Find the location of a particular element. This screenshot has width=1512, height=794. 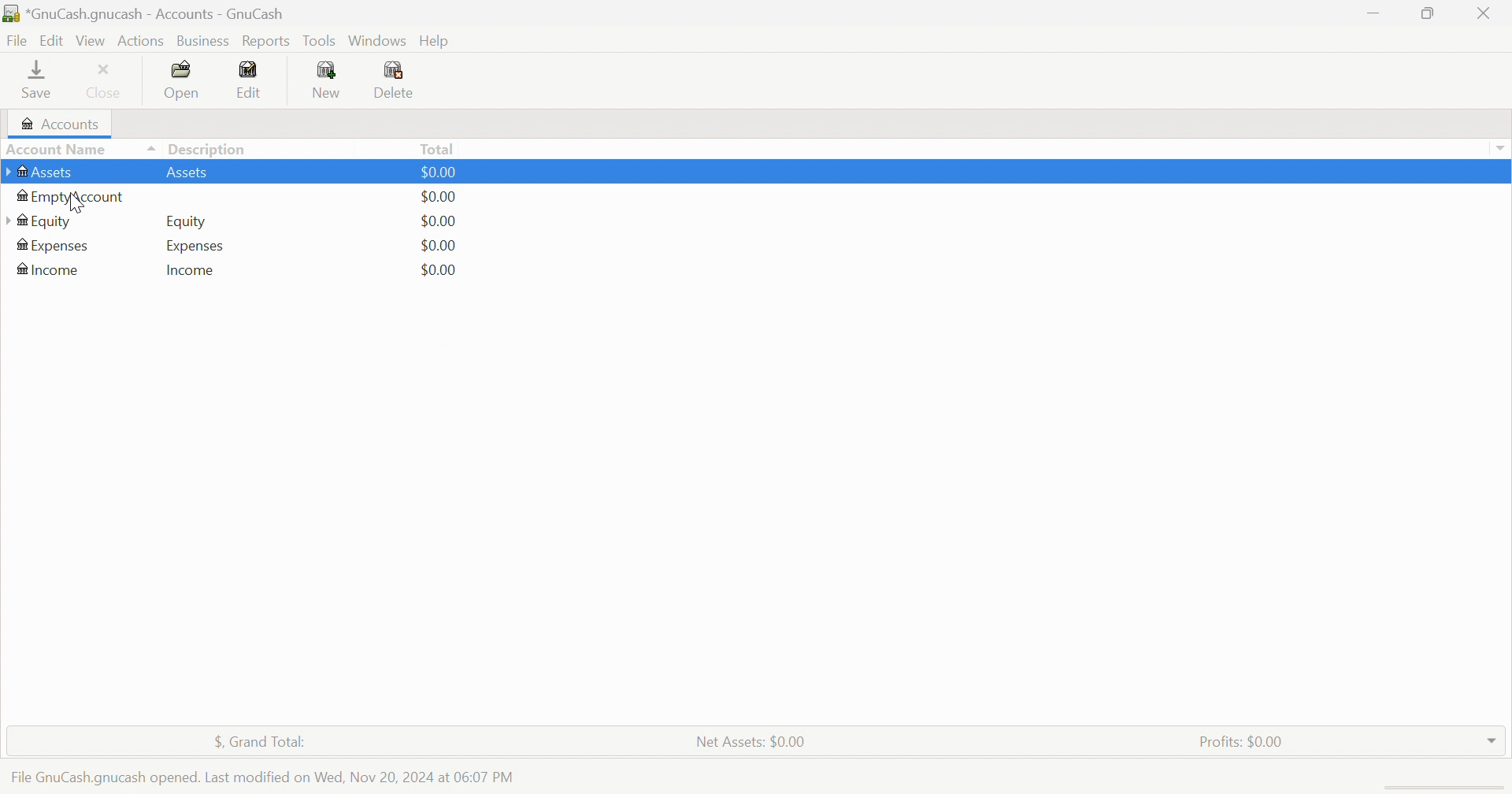

Close is located at coordinates (1488, 14).